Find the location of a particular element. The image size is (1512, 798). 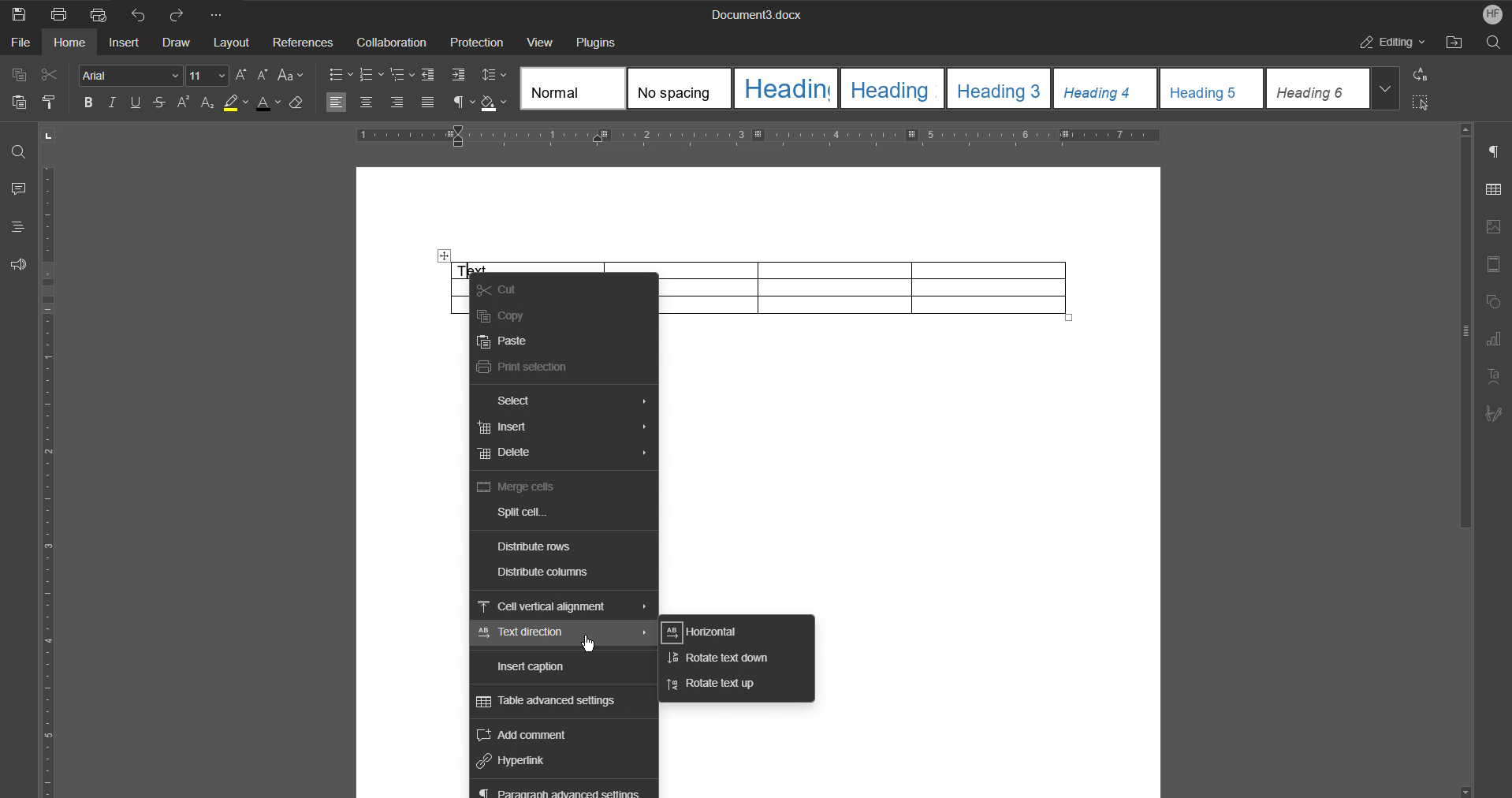

Alignments is located at coordinates (382, 103).